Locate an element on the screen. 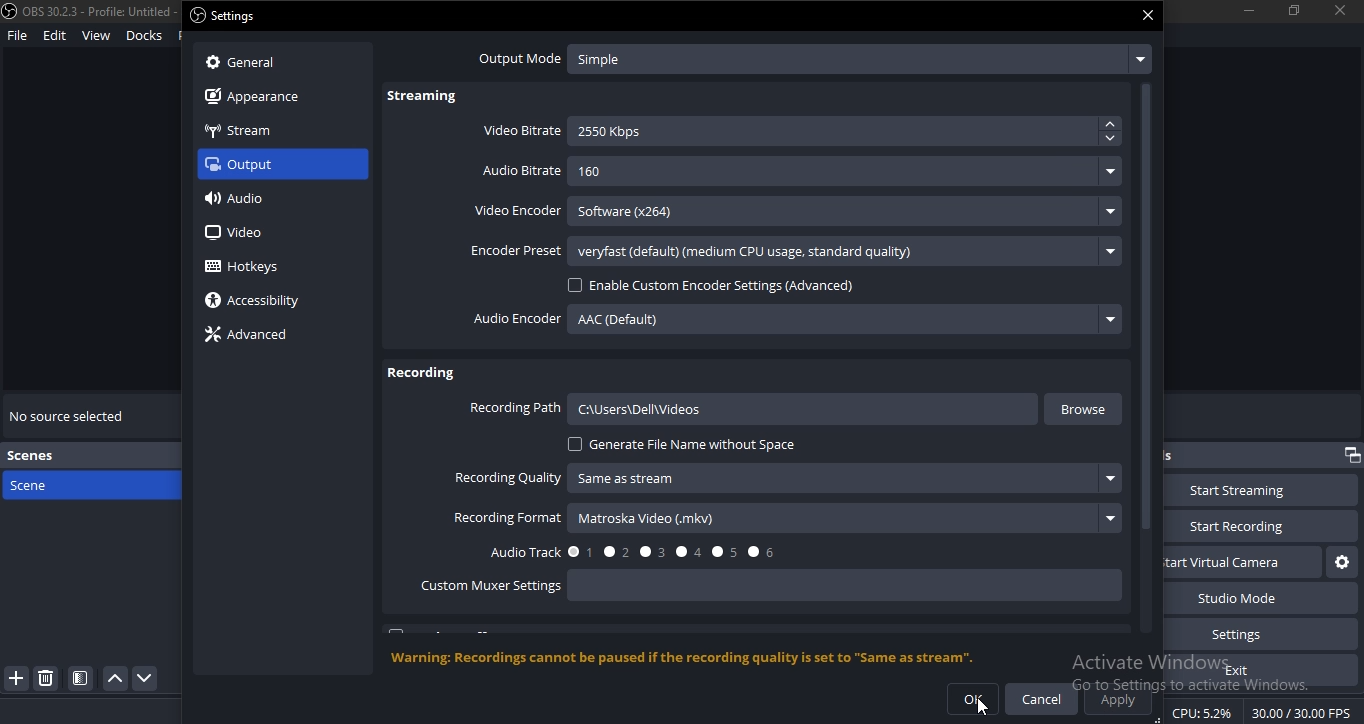 This screenshot has height=724, width=1364. start streaming is located at coordinates (1247, 491).